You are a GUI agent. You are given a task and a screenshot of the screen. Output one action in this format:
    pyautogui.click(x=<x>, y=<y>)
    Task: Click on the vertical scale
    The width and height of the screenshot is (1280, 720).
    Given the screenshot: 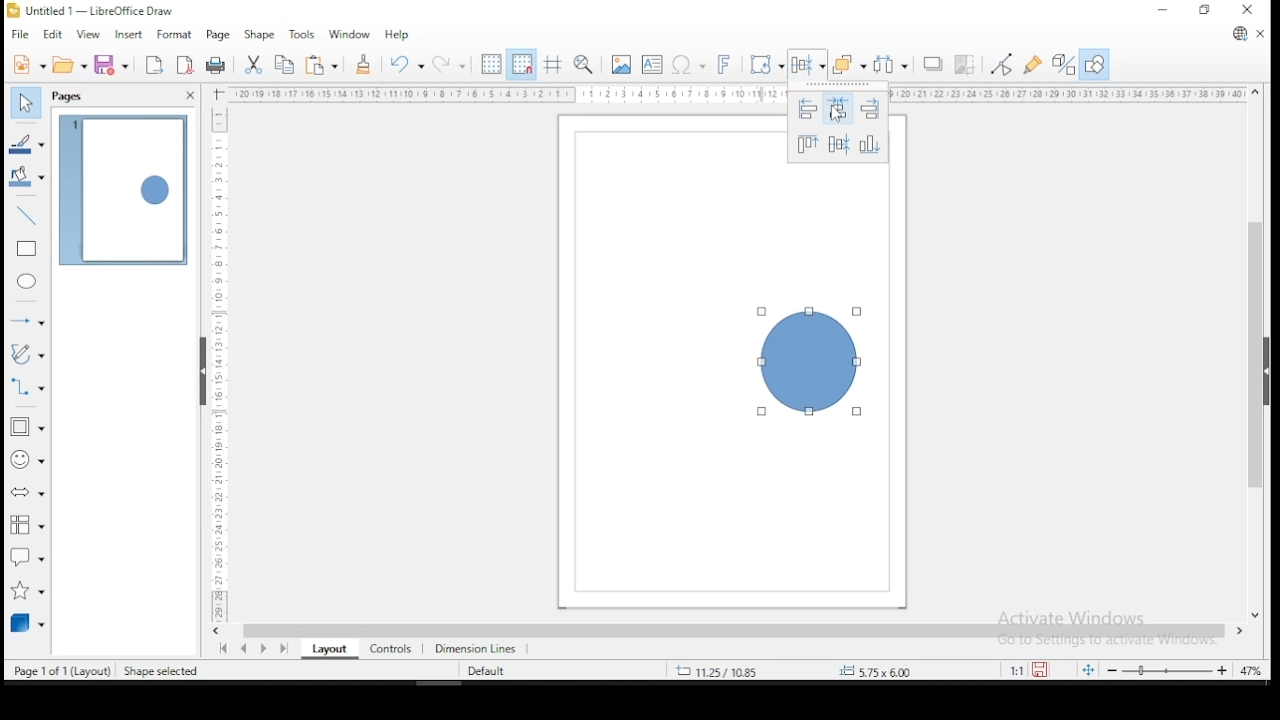 What is the action you would take?
    pyautogui.click(x=215, y=355)
    